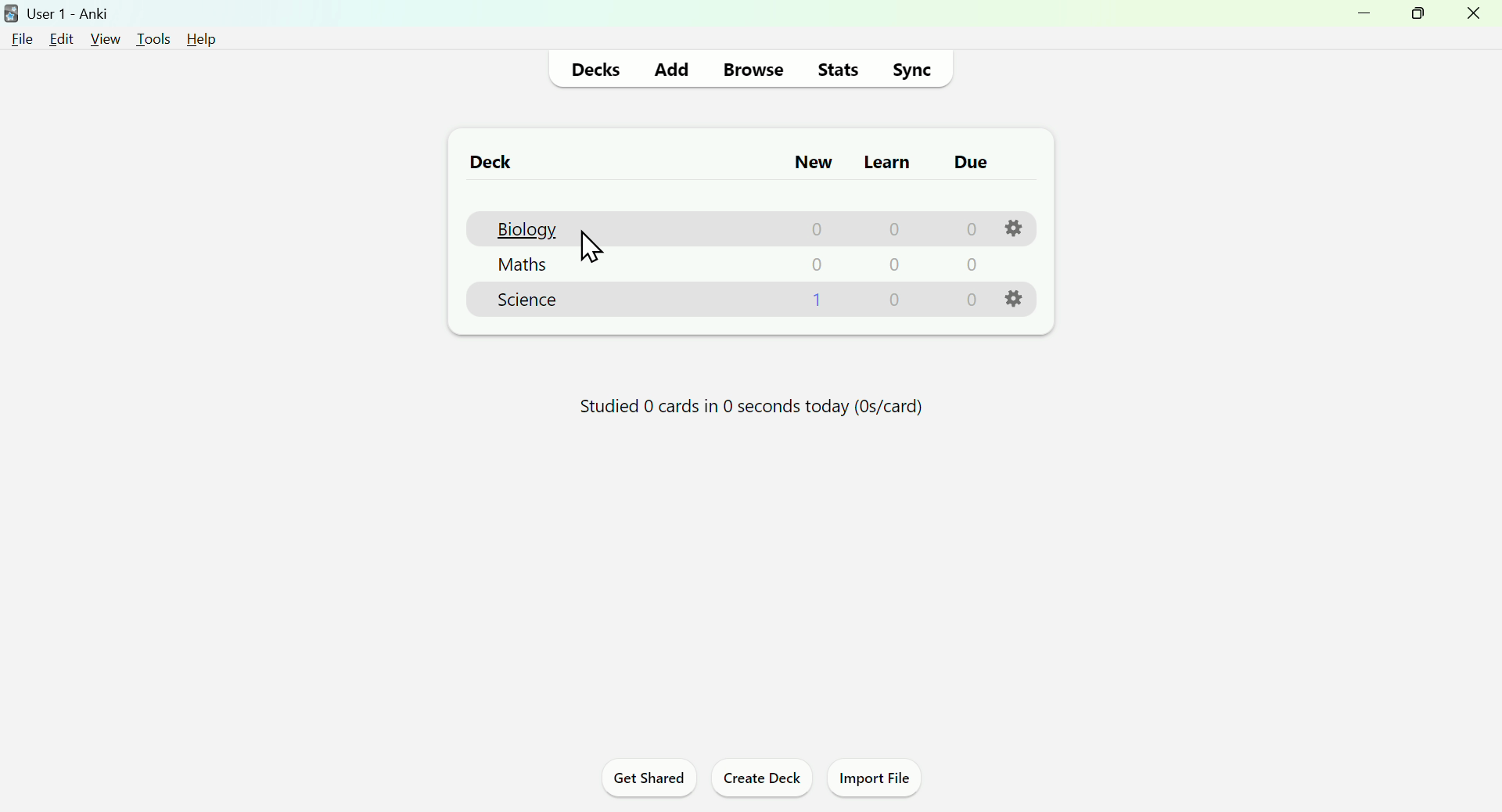 The width and height of the screenshot is (1502, 812). I want to click on view, so click(104, 39).